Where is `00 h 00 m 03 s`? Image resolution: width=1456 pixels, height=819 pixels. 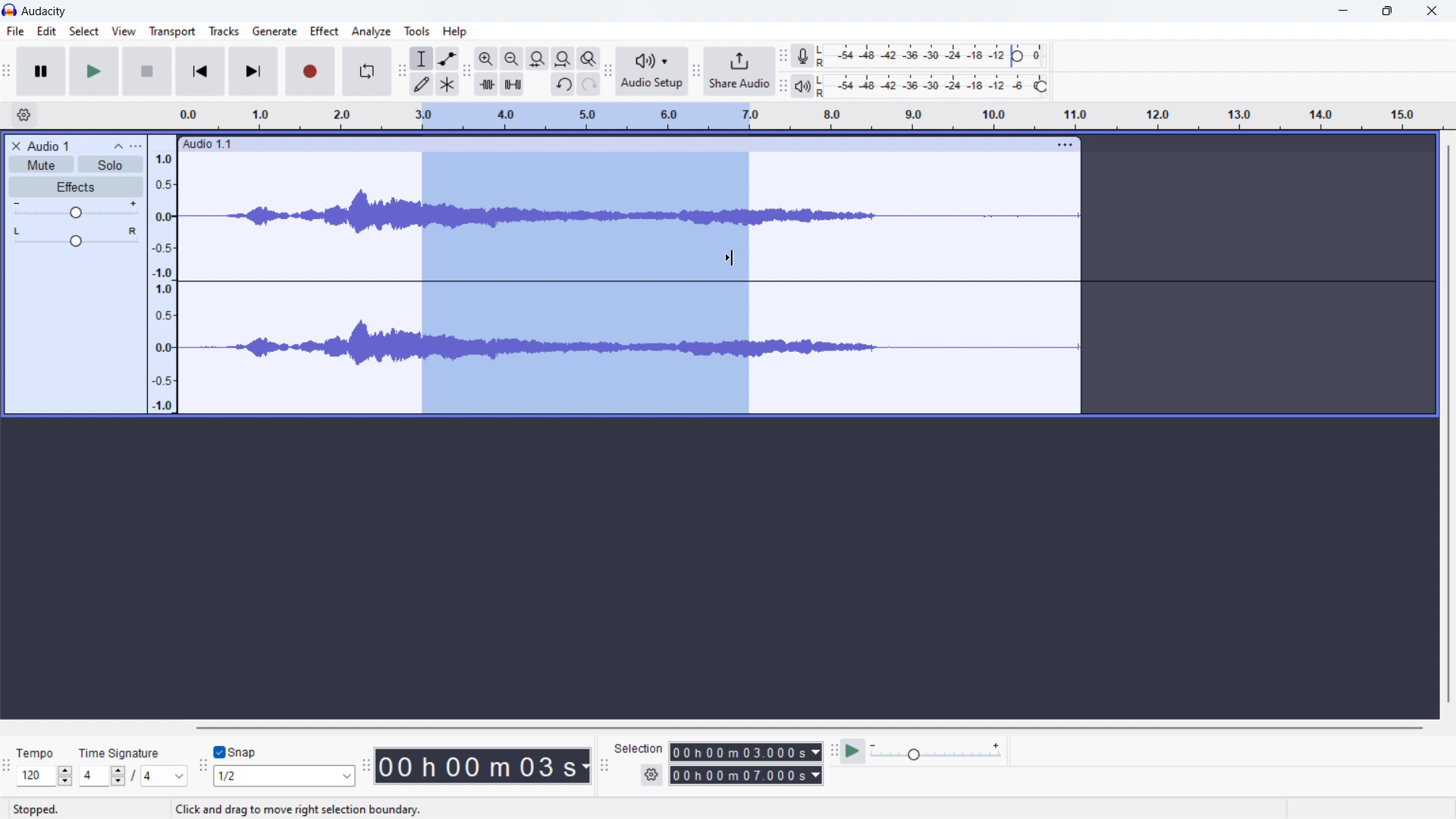 00 h 00 m 03 s is located at coordinates (483, 765).